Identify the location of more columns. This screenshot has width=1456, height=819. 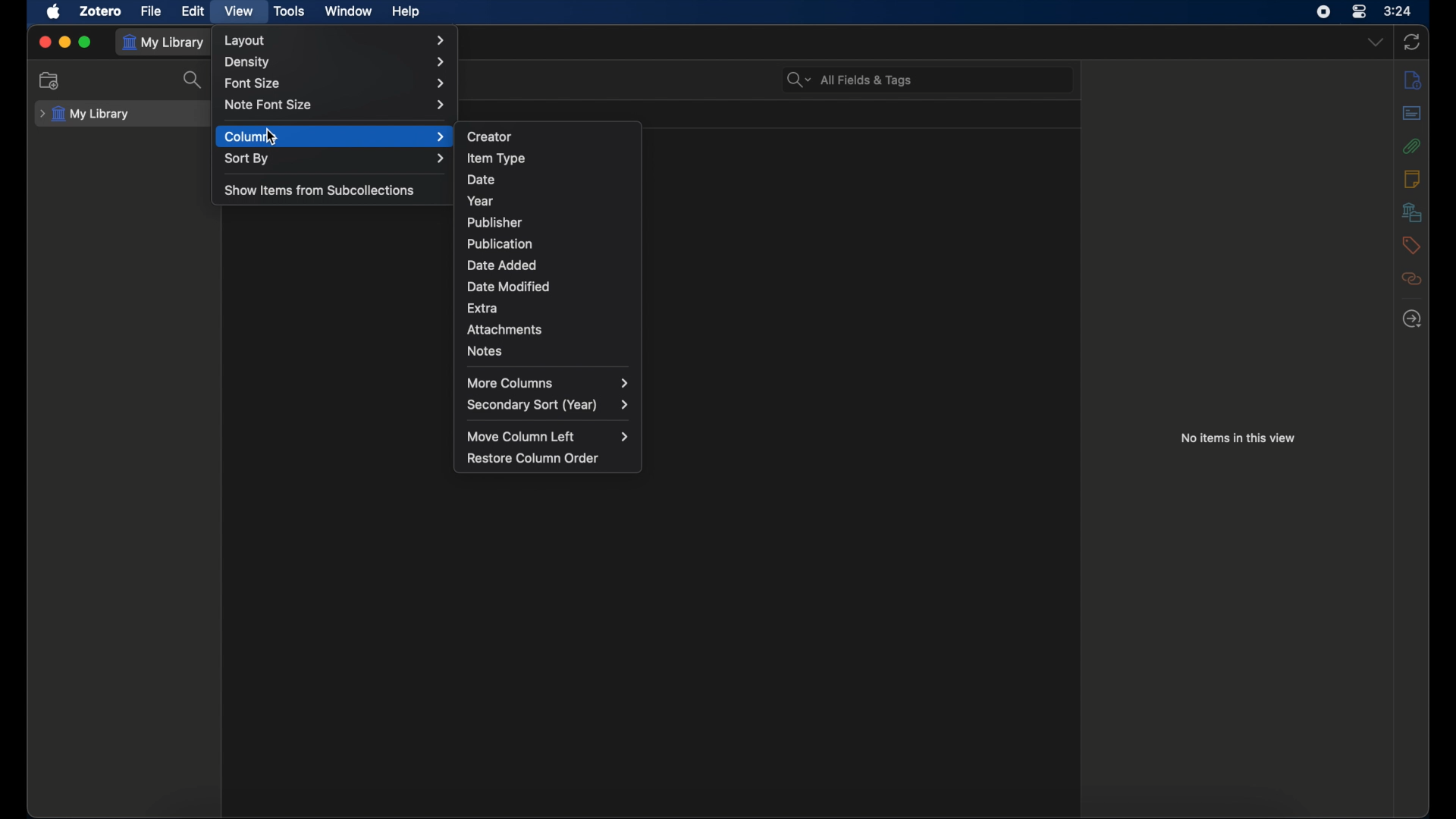
(548, 382).